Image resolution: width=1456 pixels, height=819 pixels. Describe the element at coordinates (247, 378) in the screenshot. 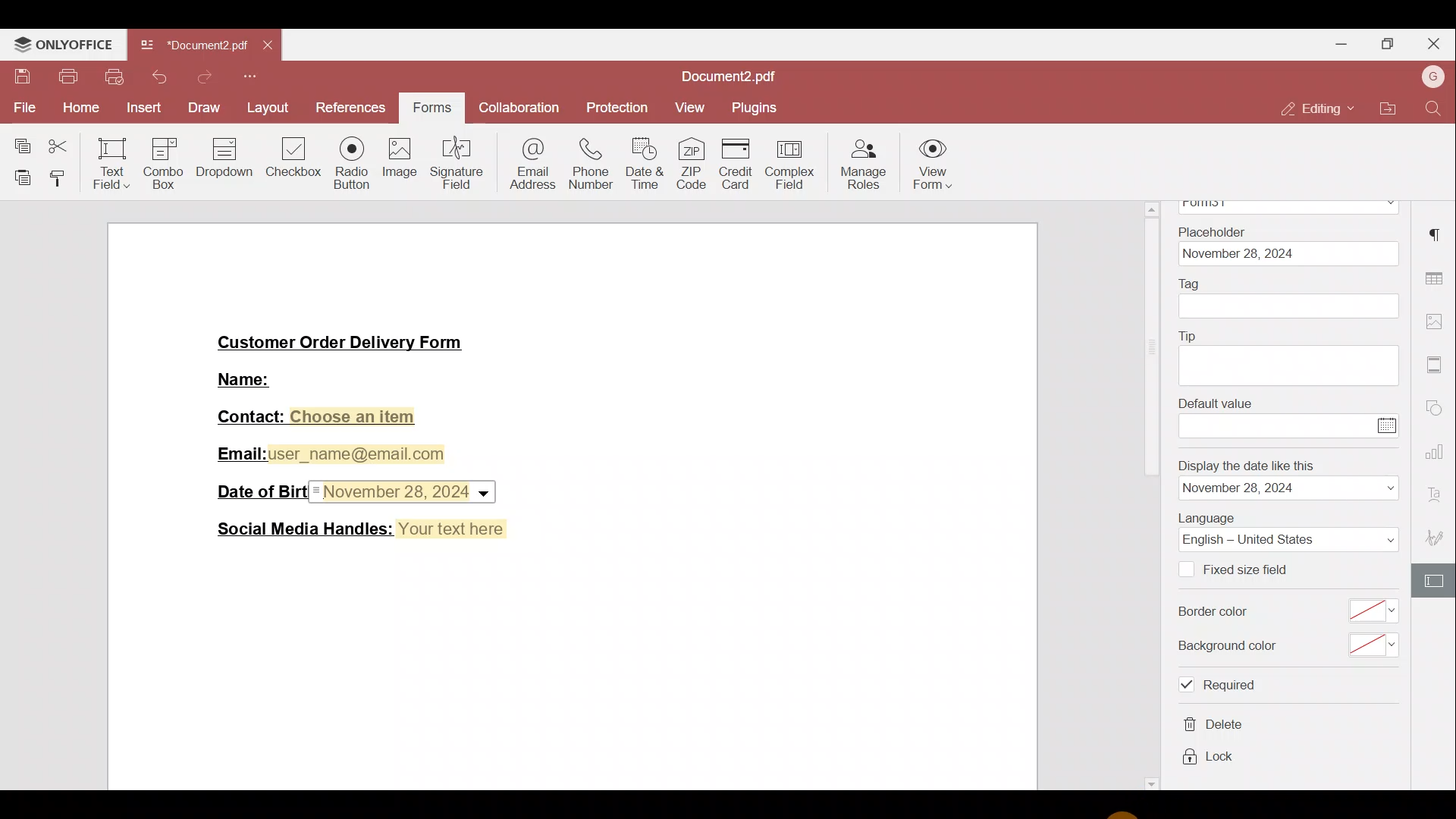

I see `Name:` at that location.